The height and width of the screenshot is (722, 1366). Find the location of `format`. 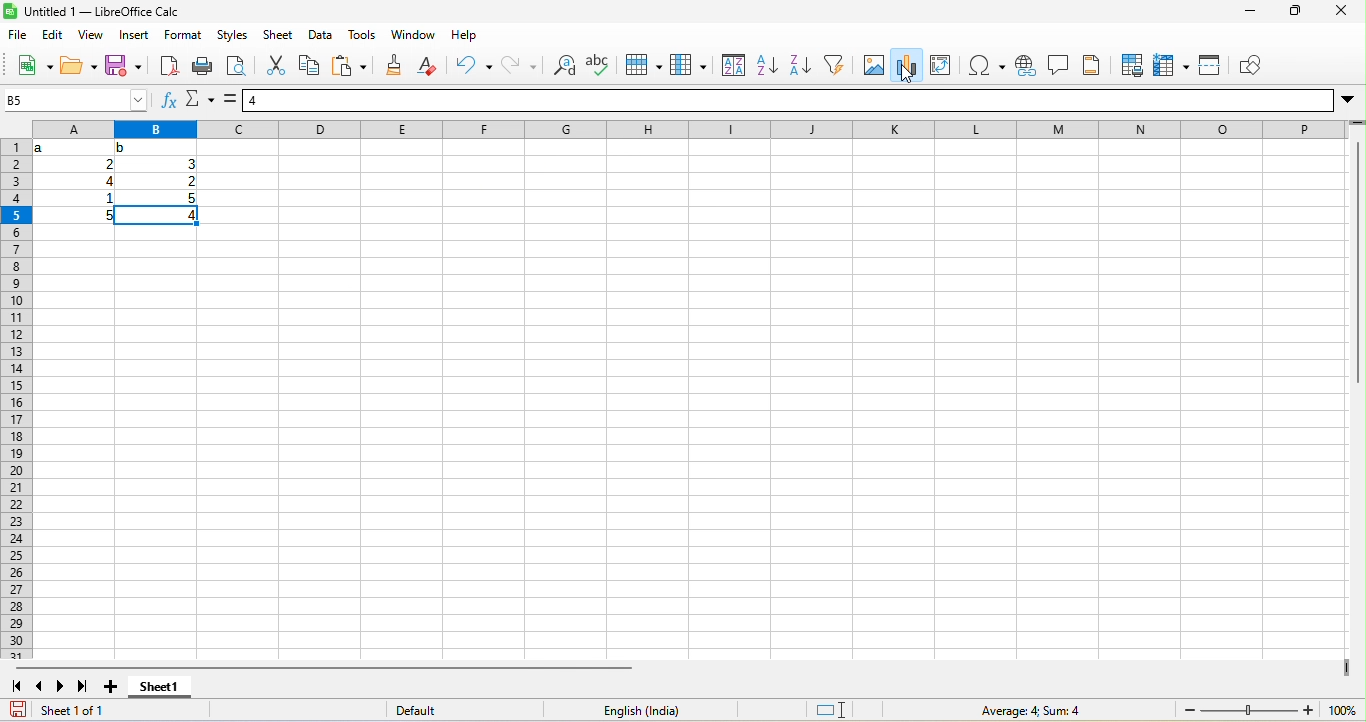

format is located at coordinates (183, 35).